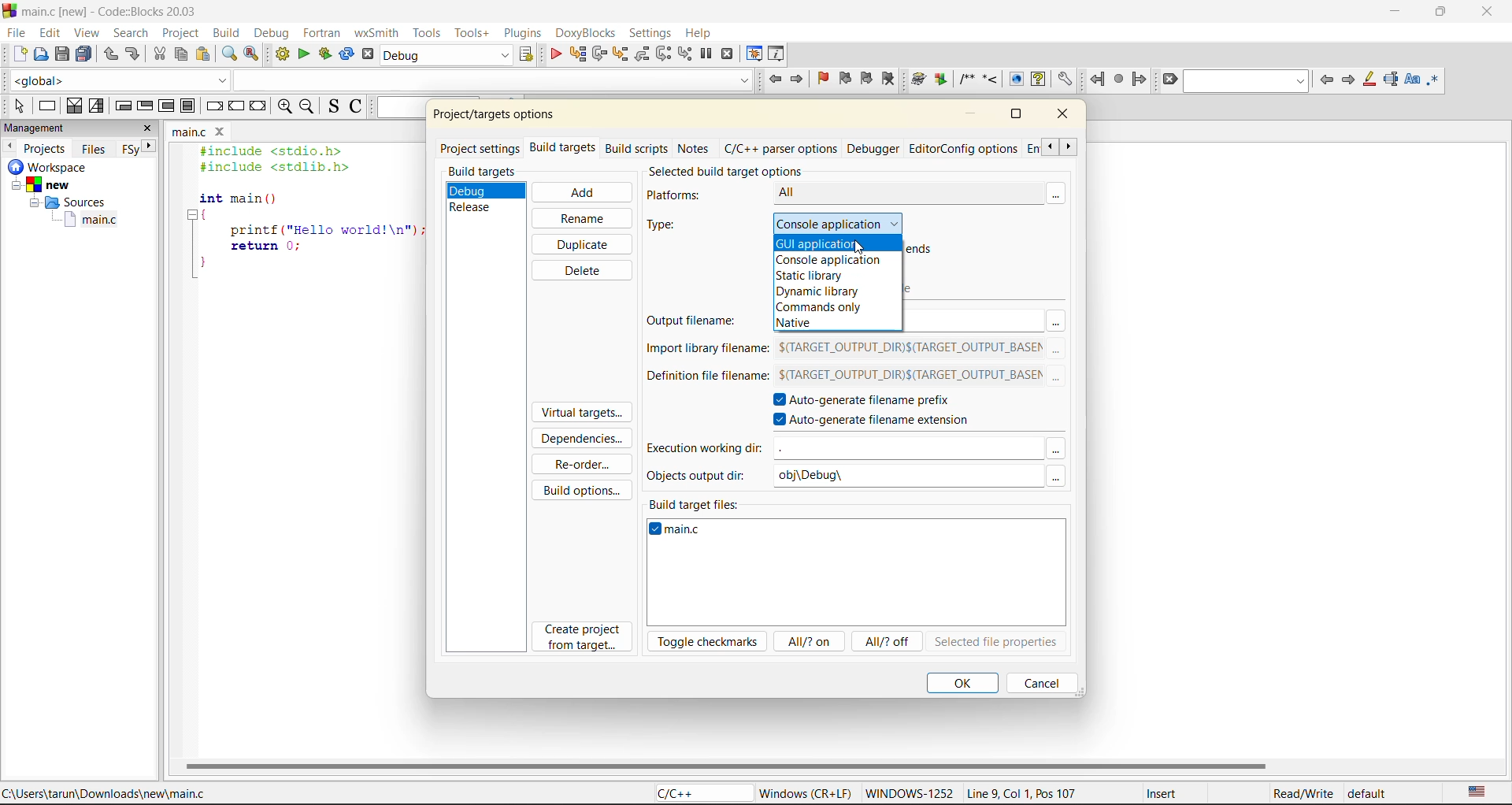  What do you see at coordinates (1021, 117) in the screenshot?
I see `maximize` at bounding box center [1021, 117].